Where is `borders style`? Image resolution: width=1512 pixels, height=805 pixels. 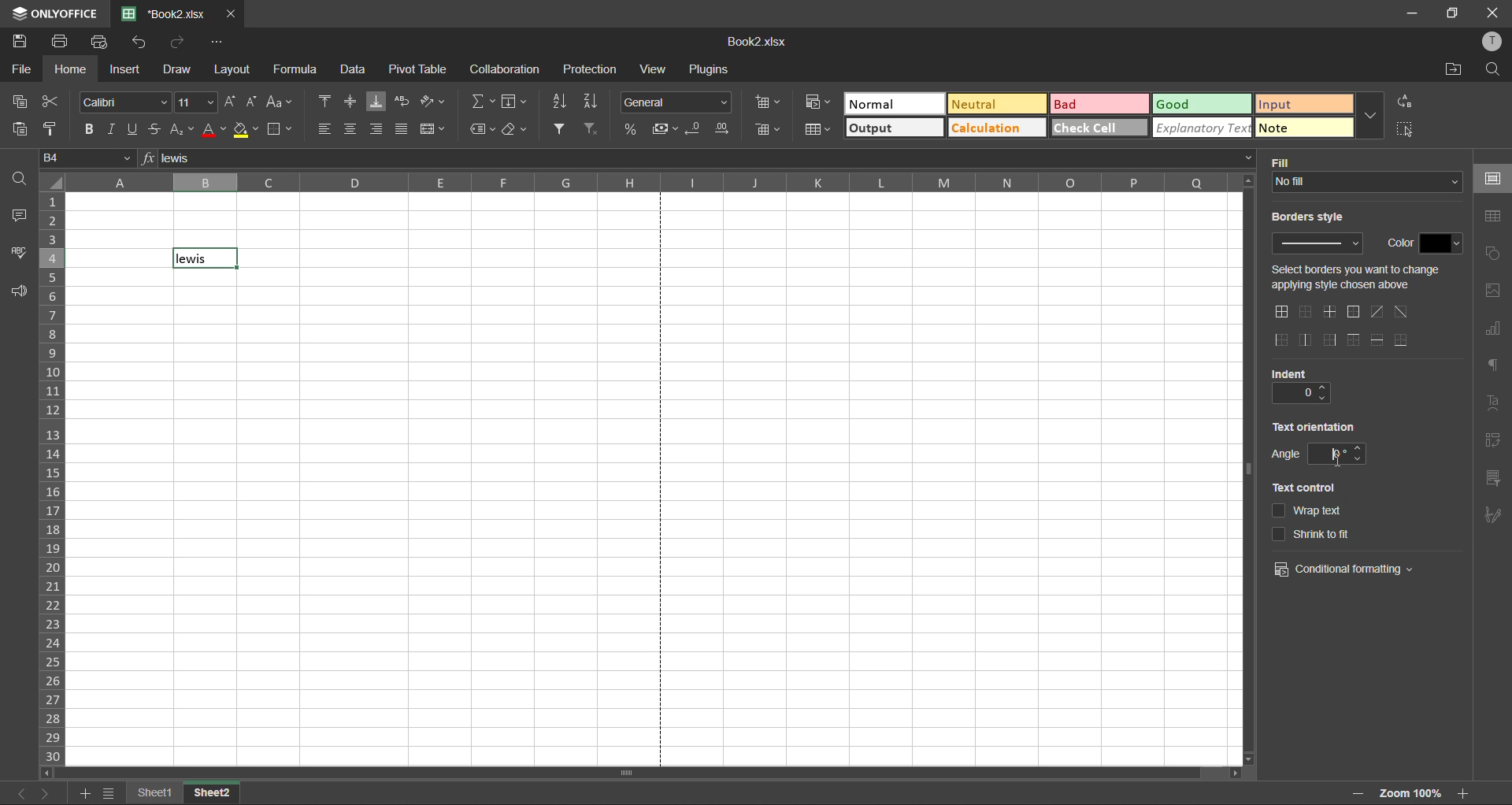
borders style is located at coordinates (1313, 217).